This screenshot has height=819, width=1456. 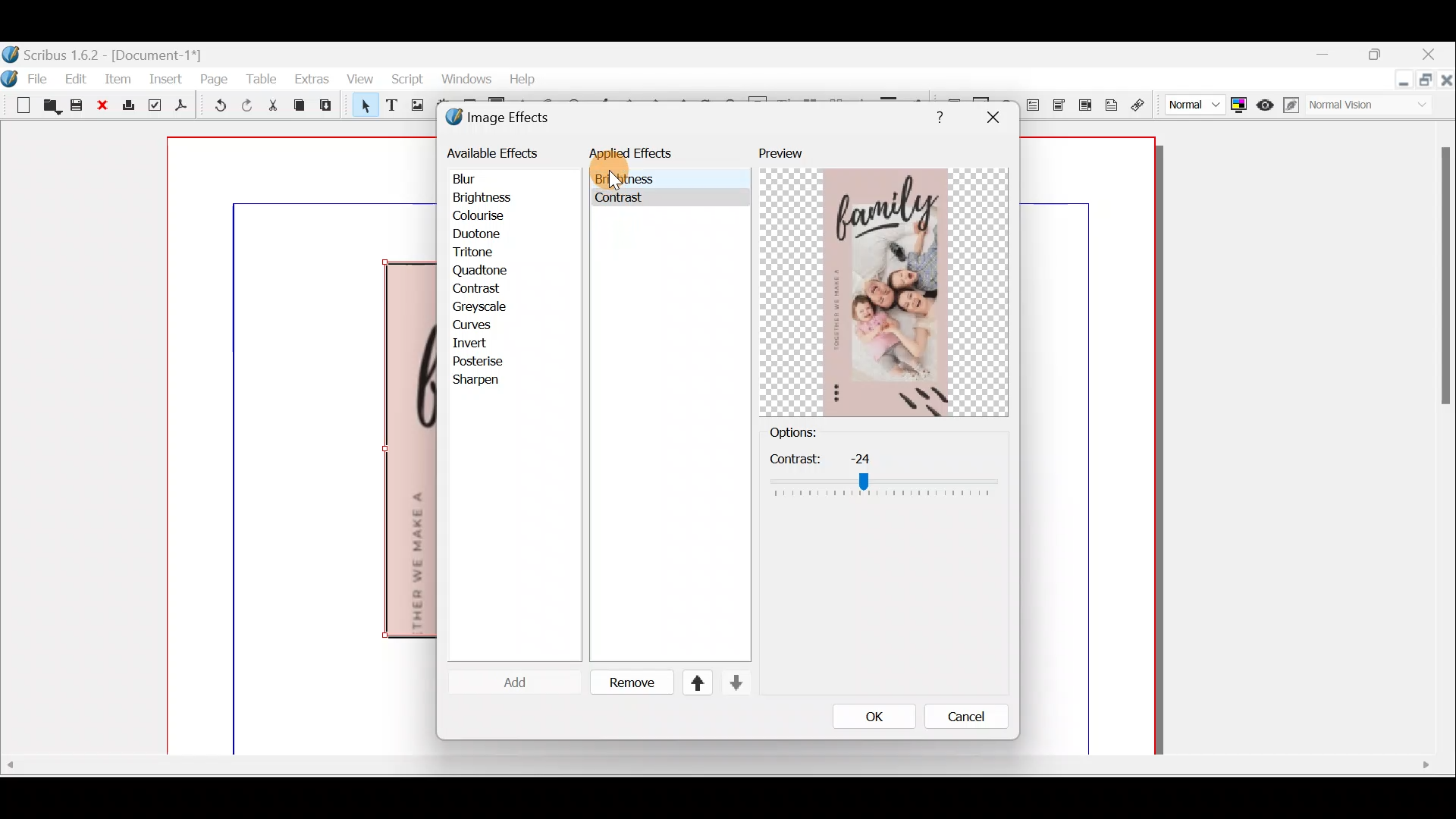 What do you see at coordinates (1059, 105) in the screenshot?
I see `PDF combo box` at bounding box center [1059, 105].